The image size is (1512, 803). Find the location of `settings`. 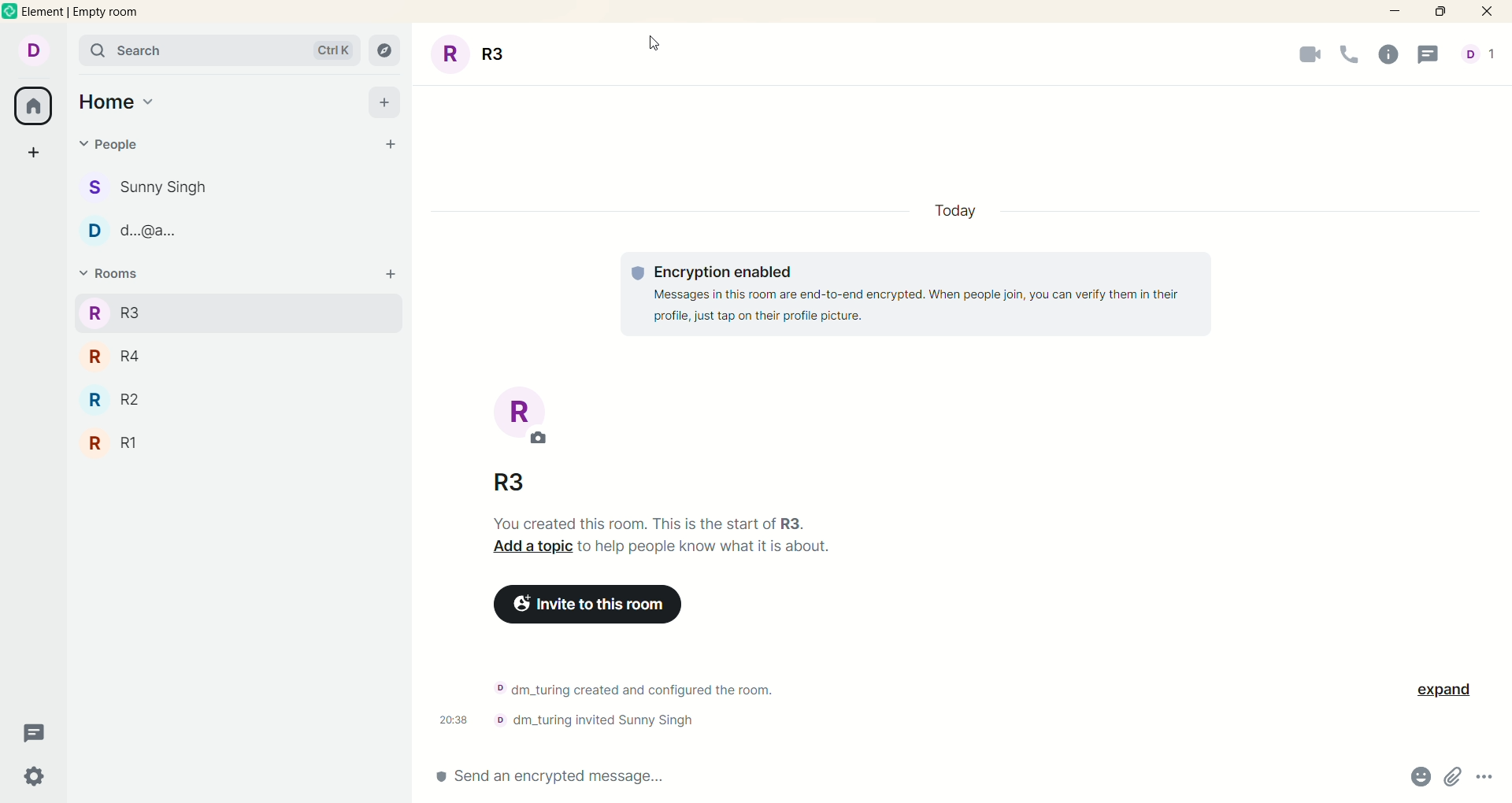

settings is located at coordinates (38, 776).